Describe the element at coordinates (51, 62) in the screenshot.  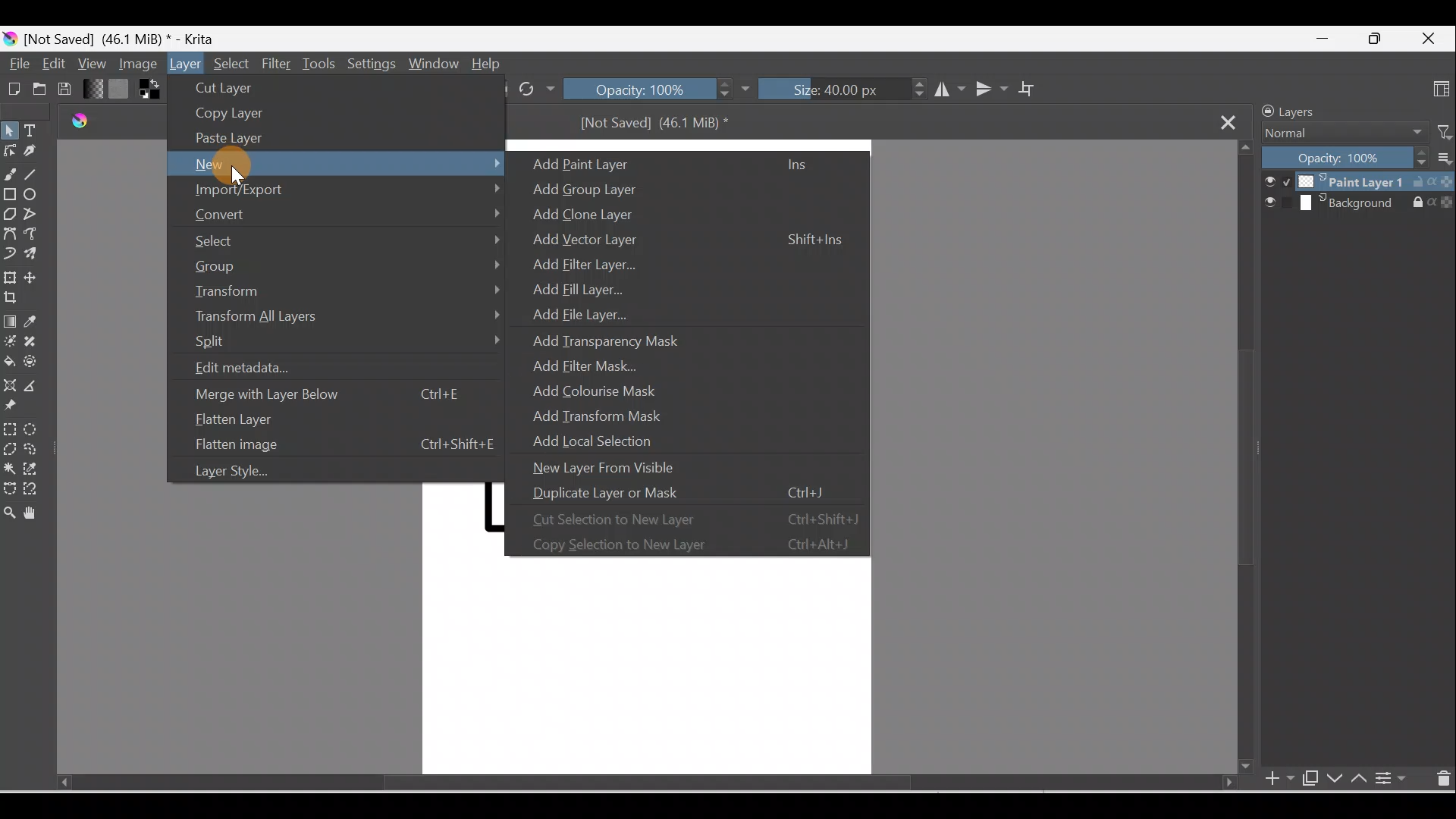
I see `Edit` at that location.